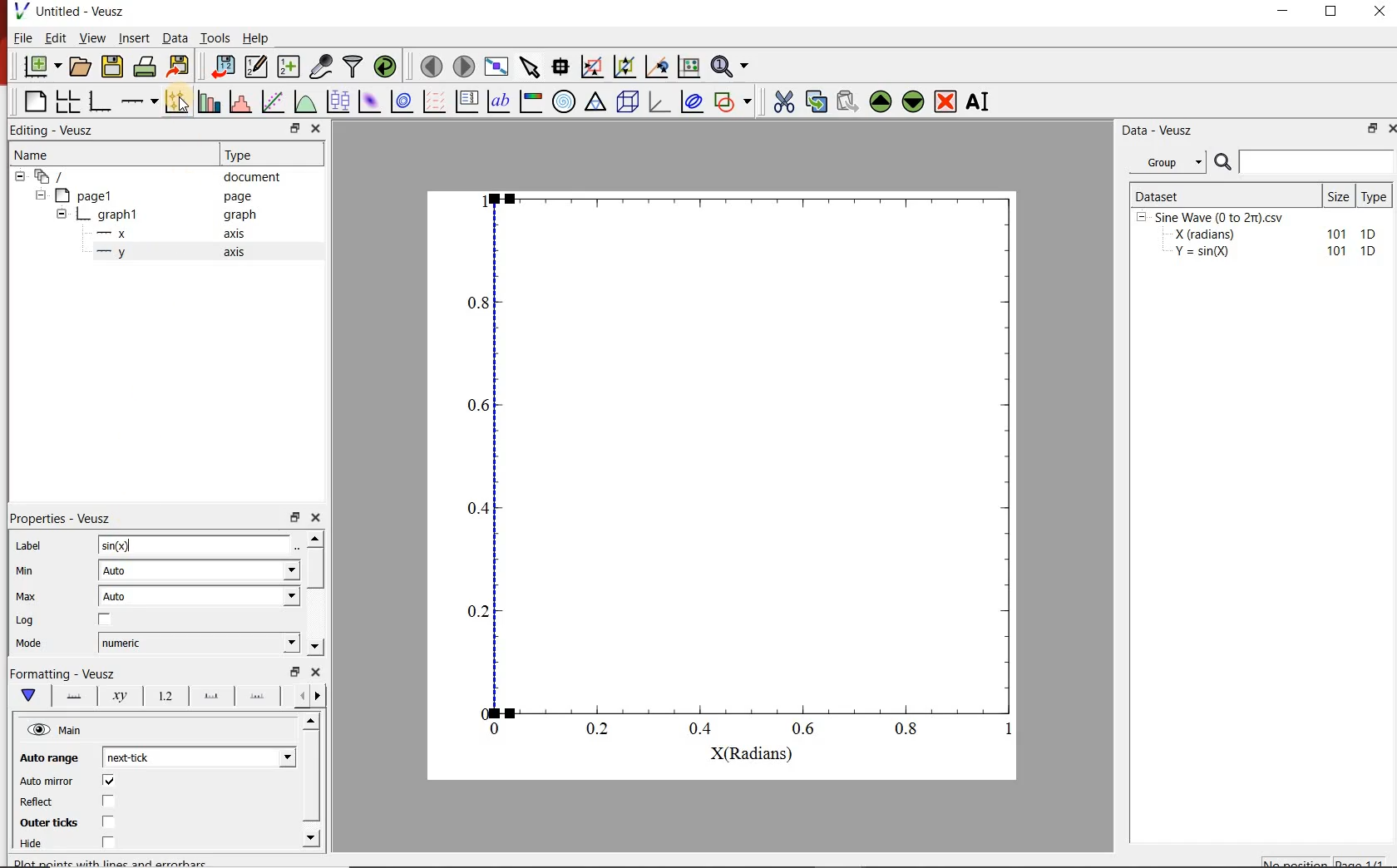 This screenshot has width=1397, height=868. Describe the element at coordinates (116, 696) in the screenshot. I see `xy` at that location.